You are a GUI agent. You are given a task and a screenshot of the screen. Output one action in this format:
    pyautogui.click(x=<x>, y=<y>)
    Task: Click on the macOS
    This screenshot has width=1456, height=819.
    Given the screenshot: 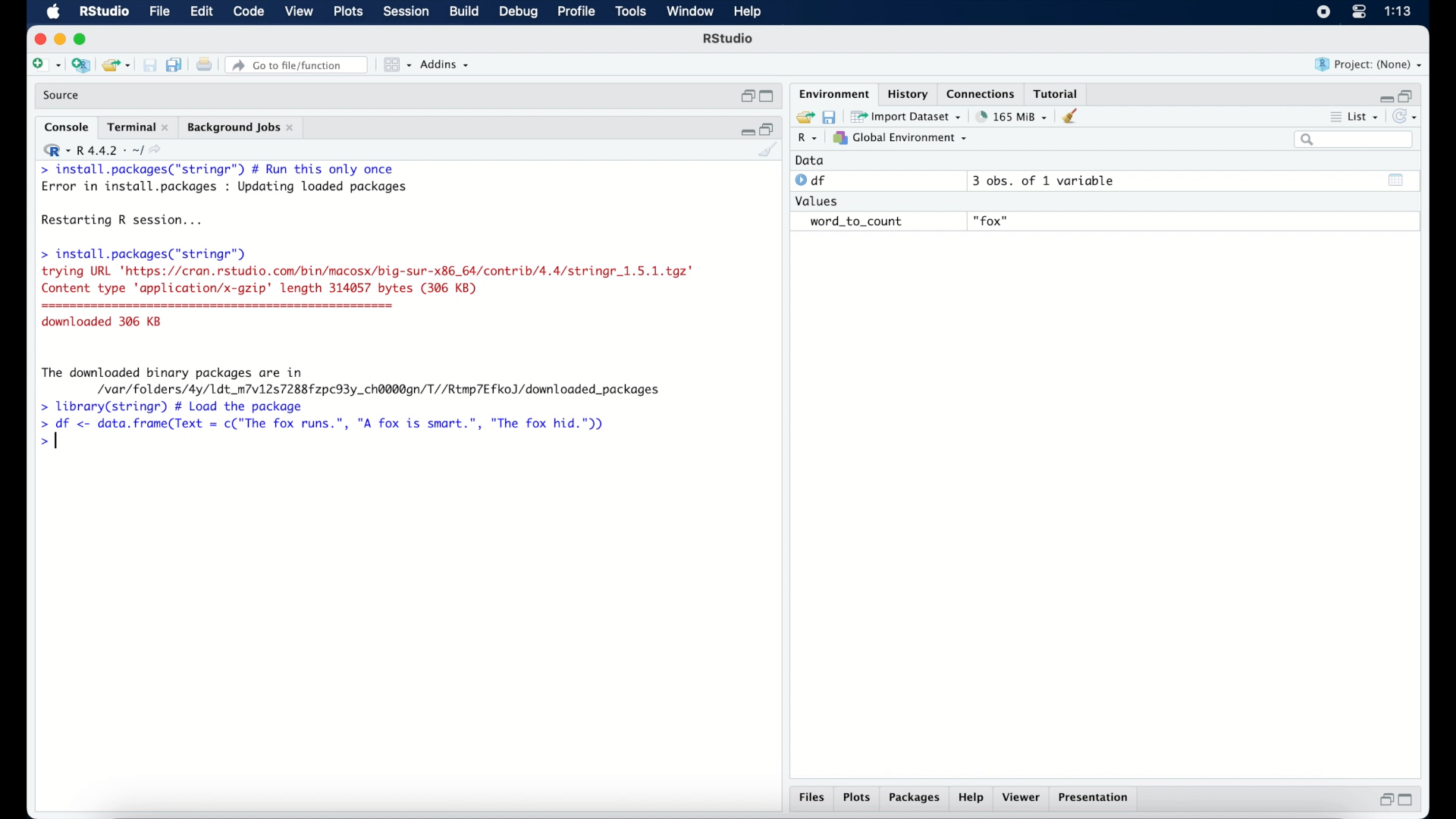 What is the action you would take?
    pyautogui.click(x=53, y=12)
    